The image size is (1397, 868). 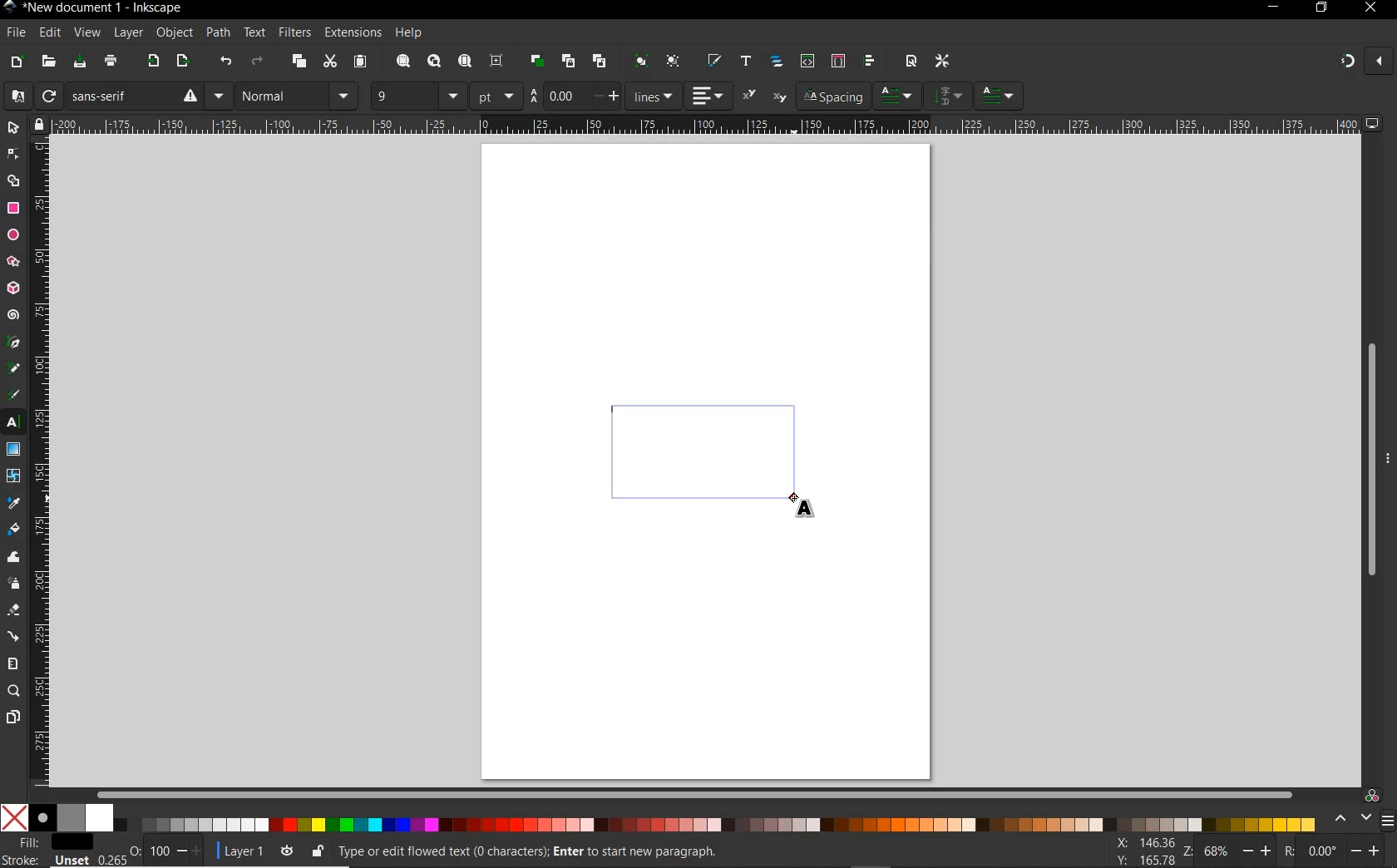 I want to click on text, so click(x=252, y=33).